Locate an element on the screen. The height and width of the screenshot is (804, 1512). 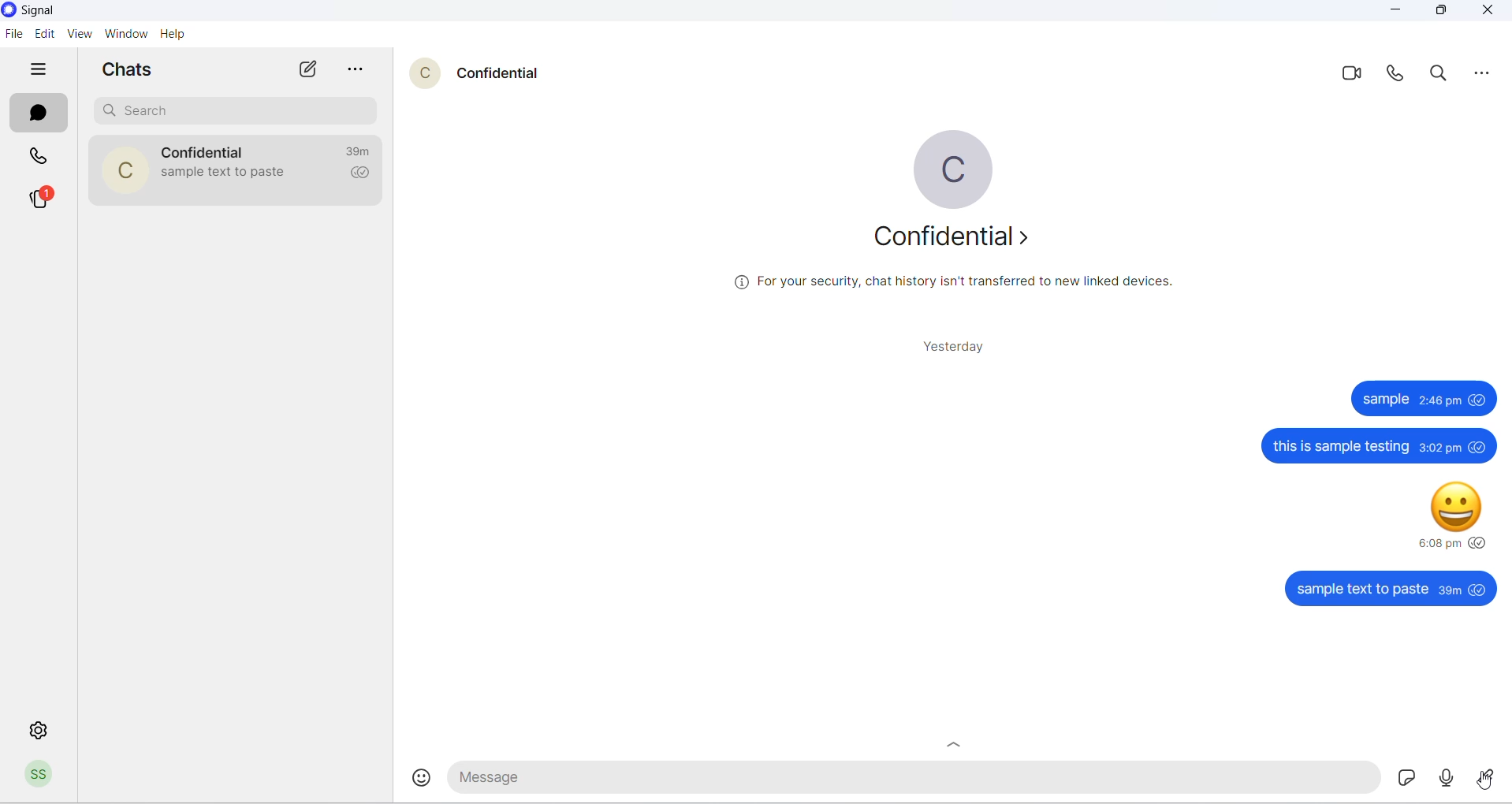
close is located at coordinates (1486, 13).